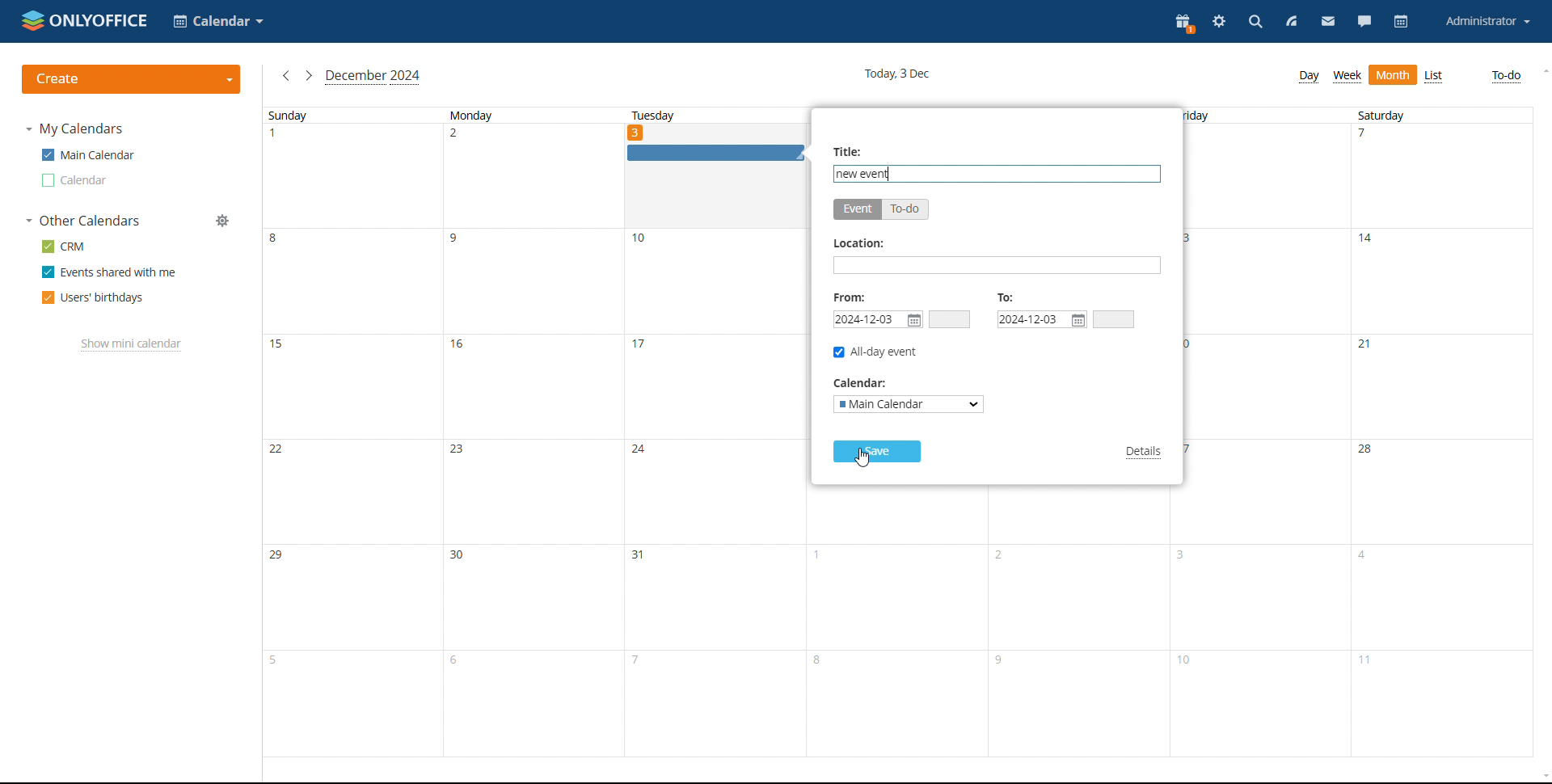 This screenshot has width=1552, height=784. I want to click on select calendar, so click(909, 404).